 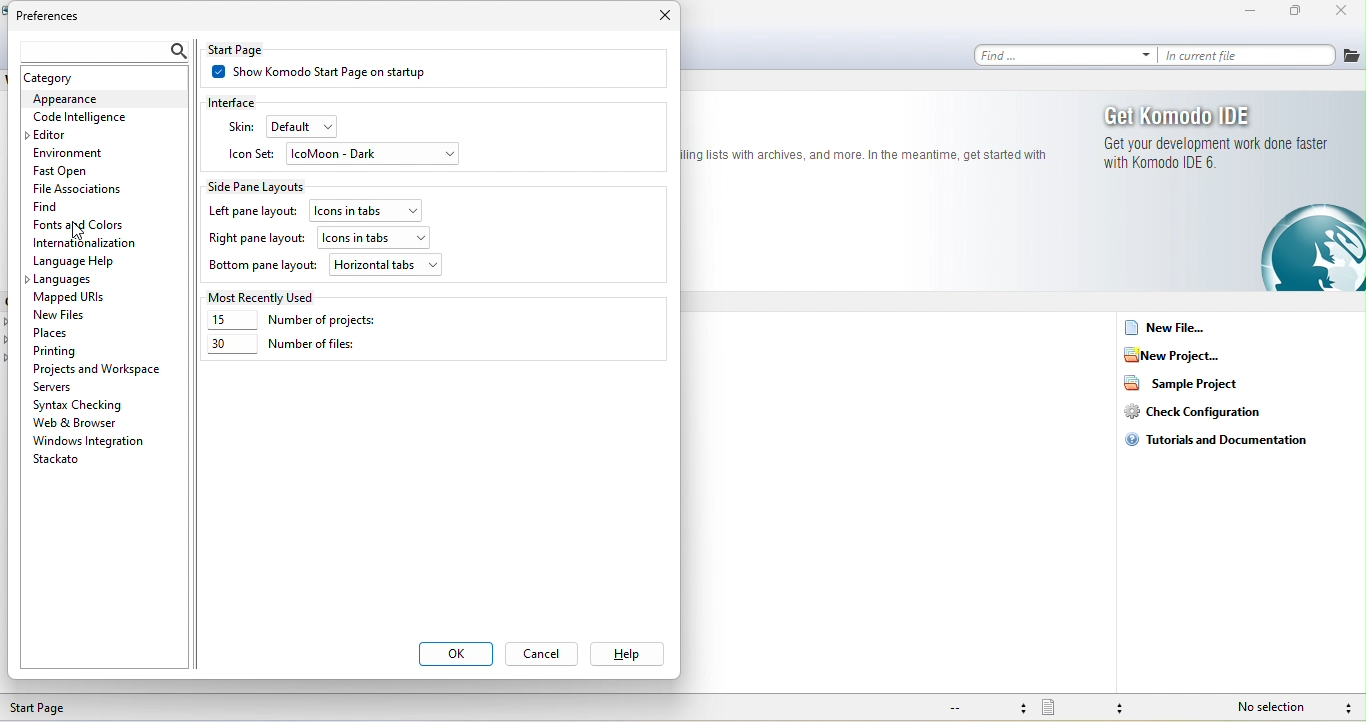 What do you see at coordinates (50, 206) in the screenshot?
I see `find` at bounding box center [50, 206].